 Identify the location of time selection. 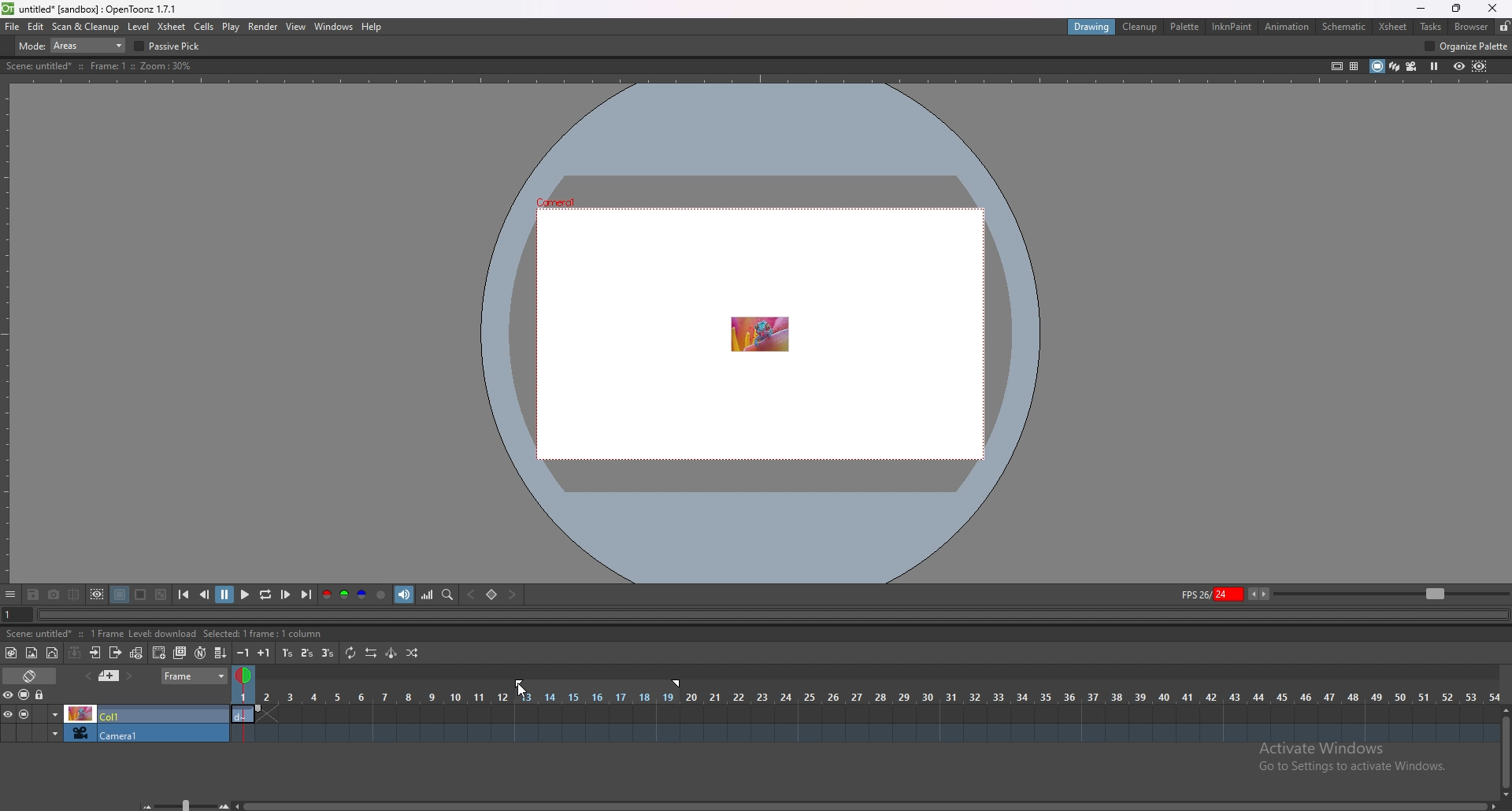
(242, 672).